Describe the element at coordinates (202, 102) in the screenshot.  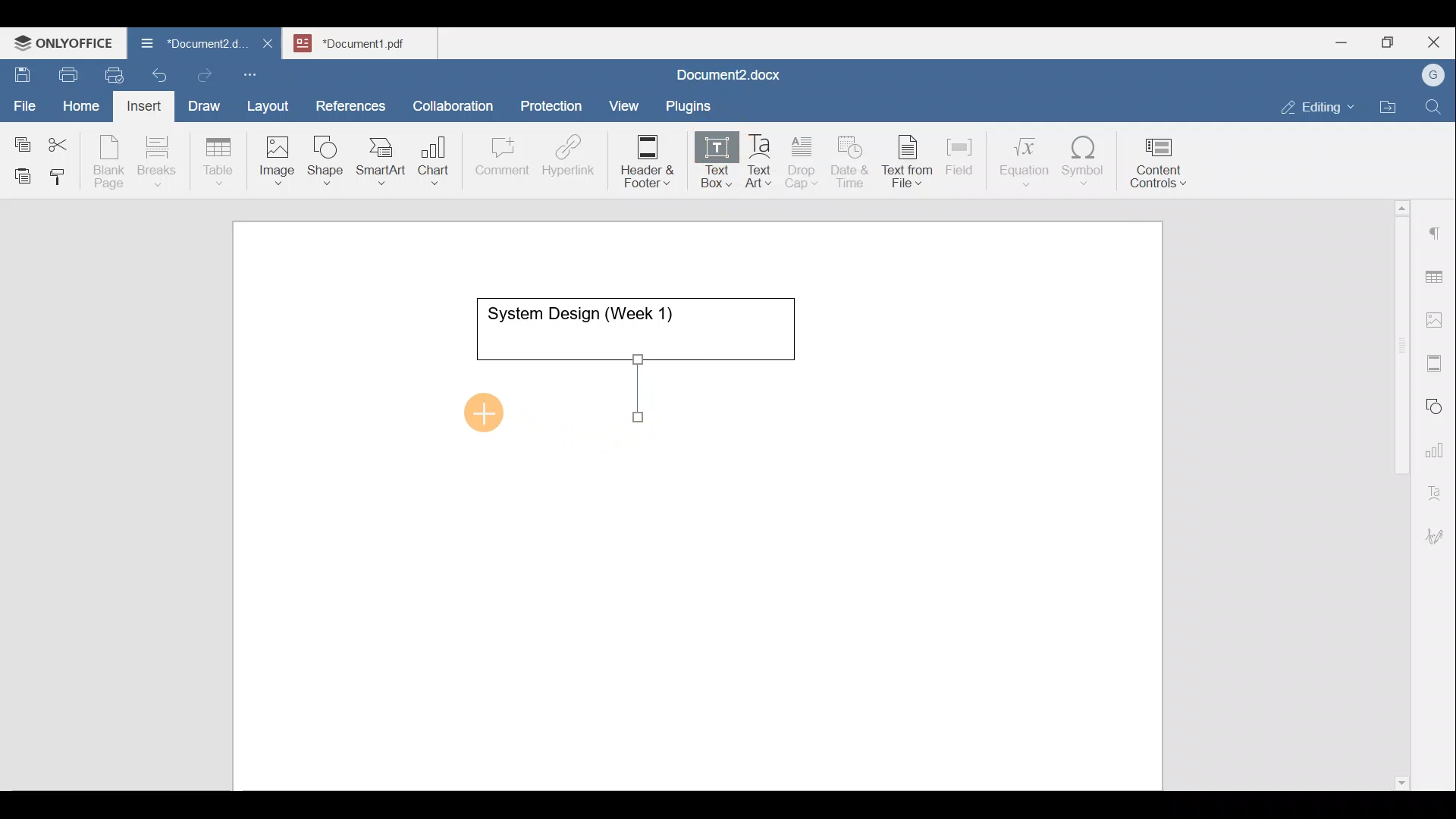
I see `Draw` at that location.